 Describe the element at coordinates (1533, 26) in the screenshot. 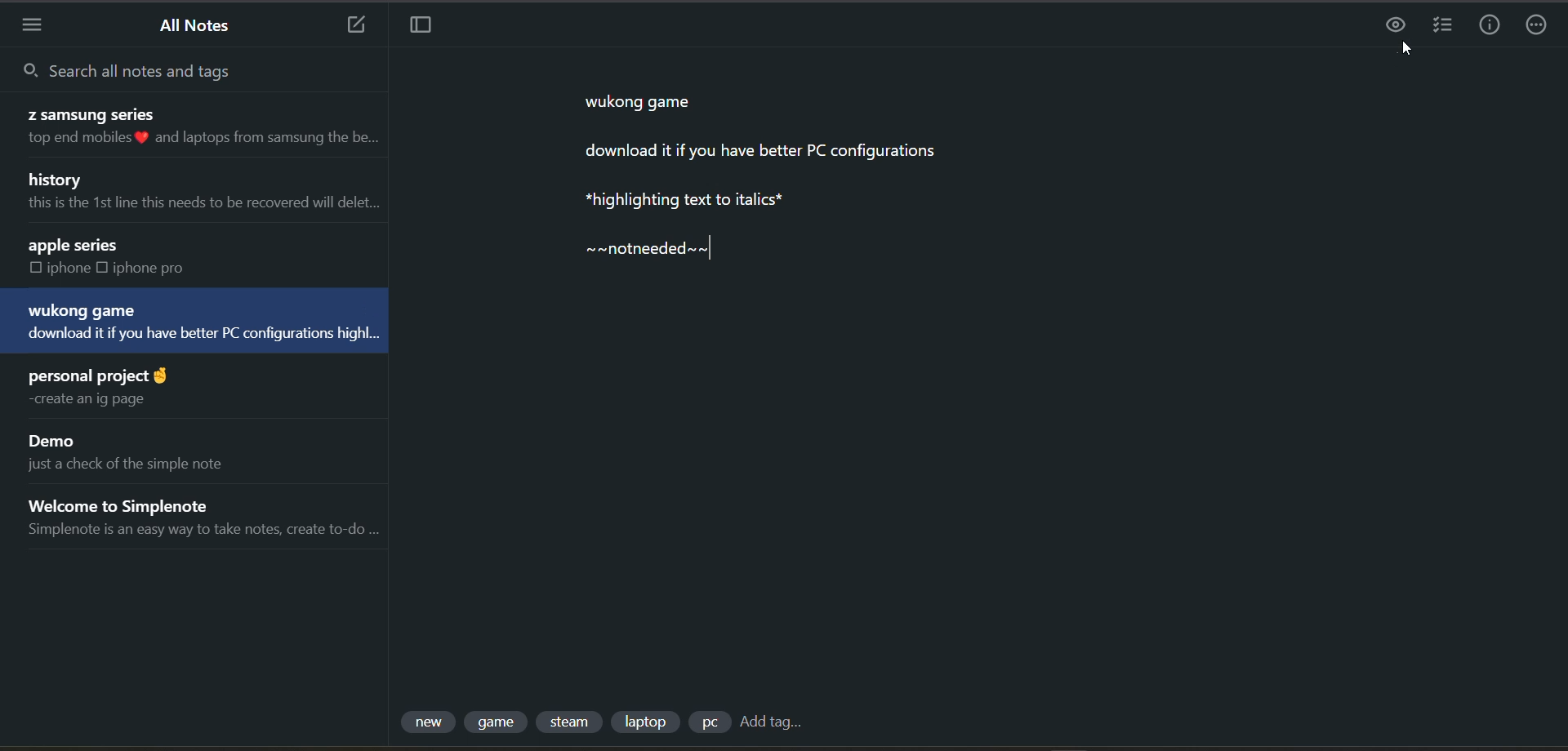

I see `actions` at that location.